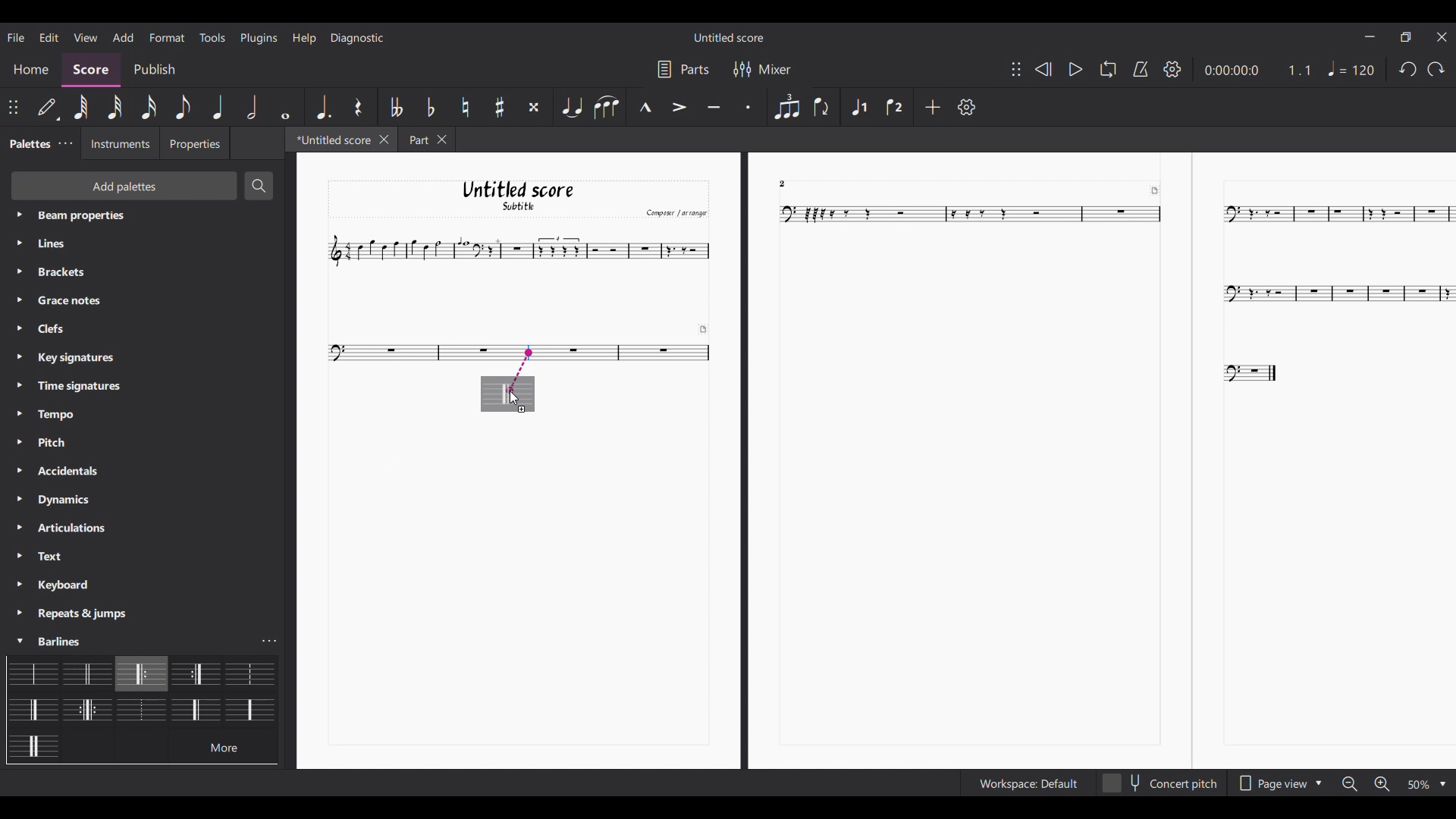 The width and height of the screenshot is (1456, 819). What do you see at coordinates (68, 330) in the screenshot?
I see `Palette settings` at bounding box center [68, 330].